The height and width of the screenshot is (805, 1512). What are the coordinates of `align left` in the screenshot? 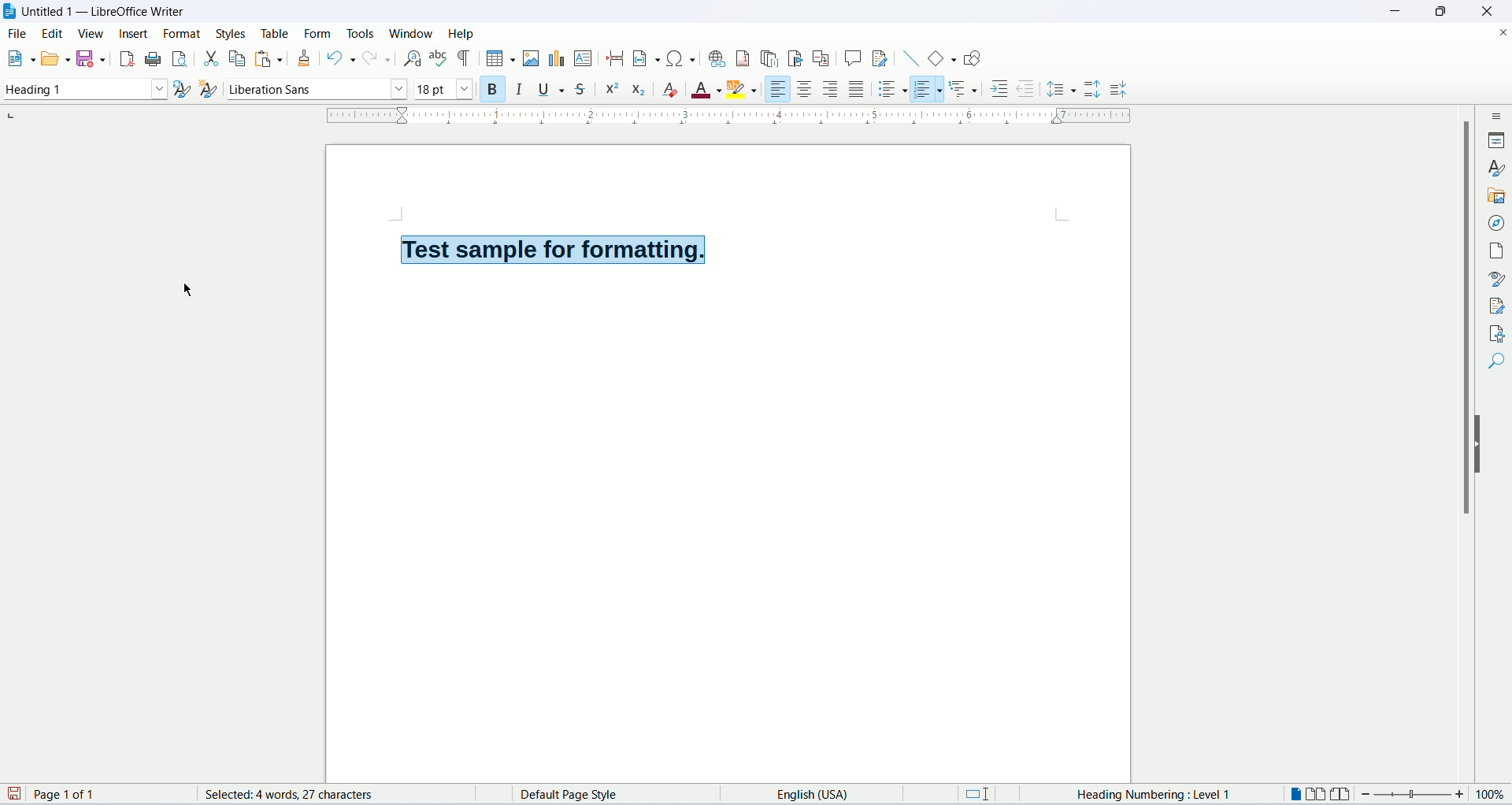 It's located at (779, 87).